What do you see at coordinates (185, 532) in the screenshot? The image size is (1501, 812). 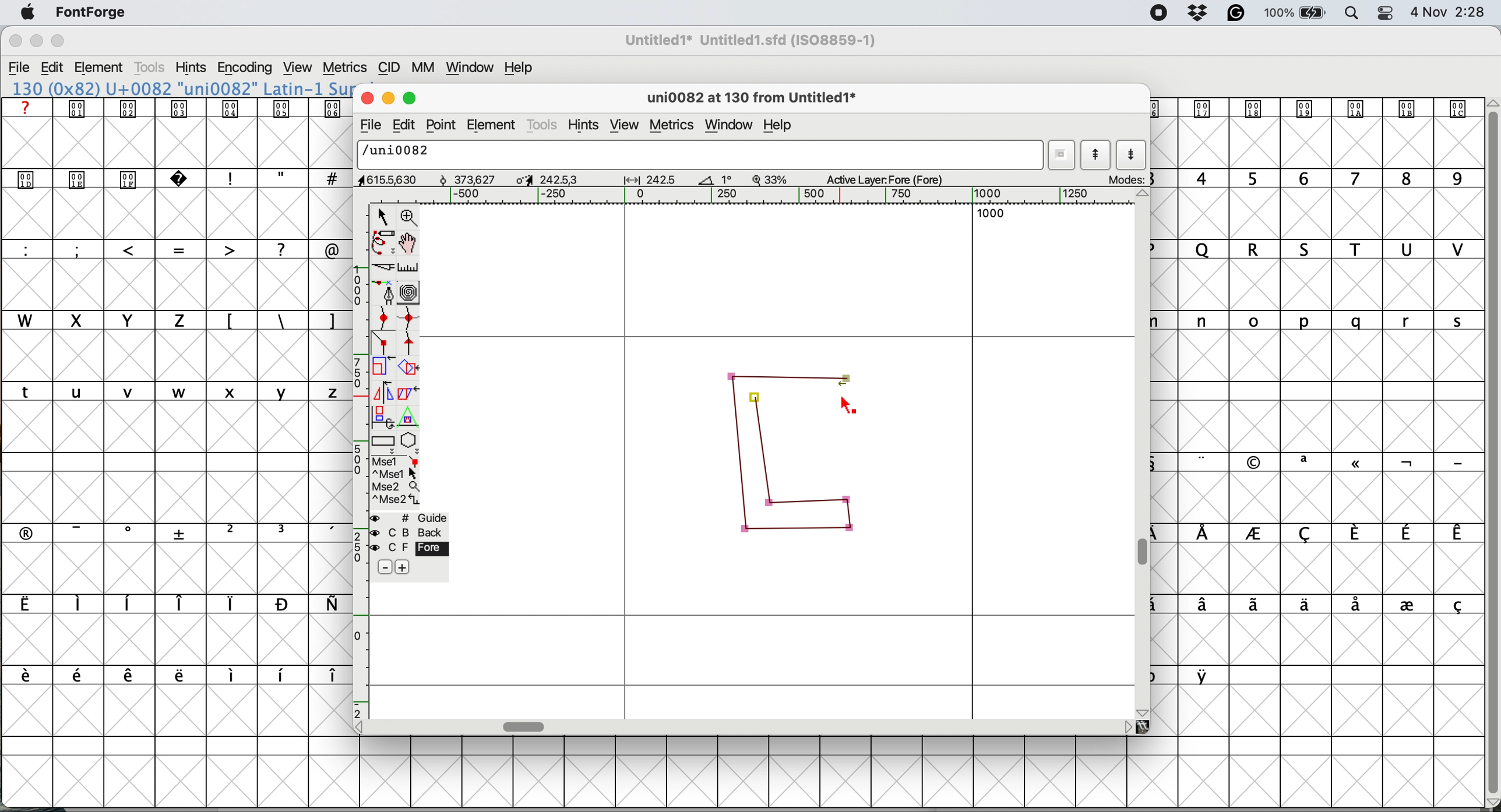 I see `symbols` at bounding box center [185, 532].